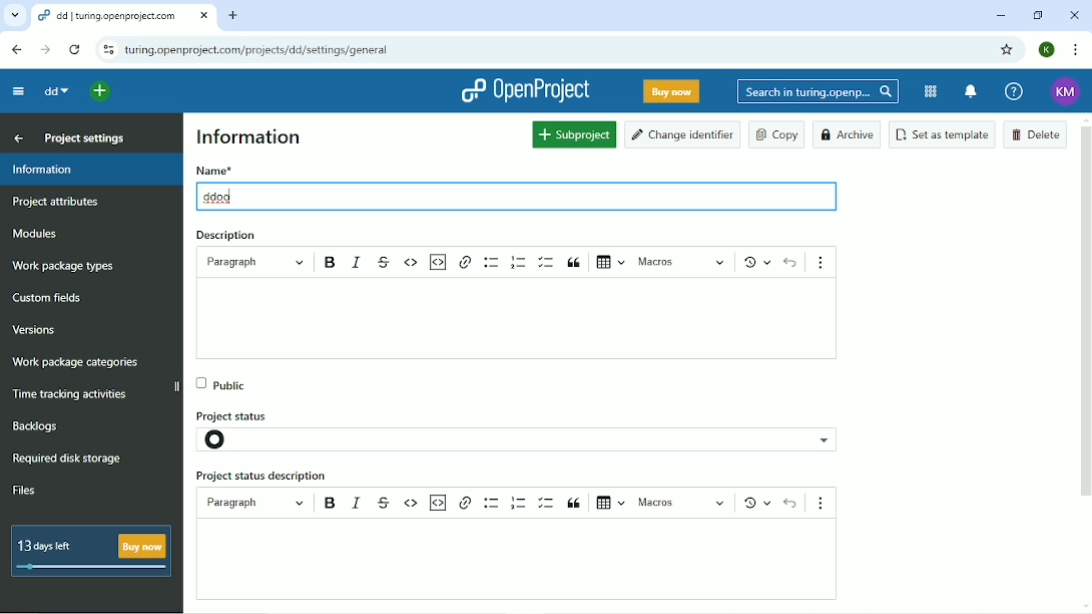 The height and width of the screenshot is (614, 1092). What do you see at coordinates (827, 500) in the screenshot?
I see `show more items` at bounding box center [827, 500].